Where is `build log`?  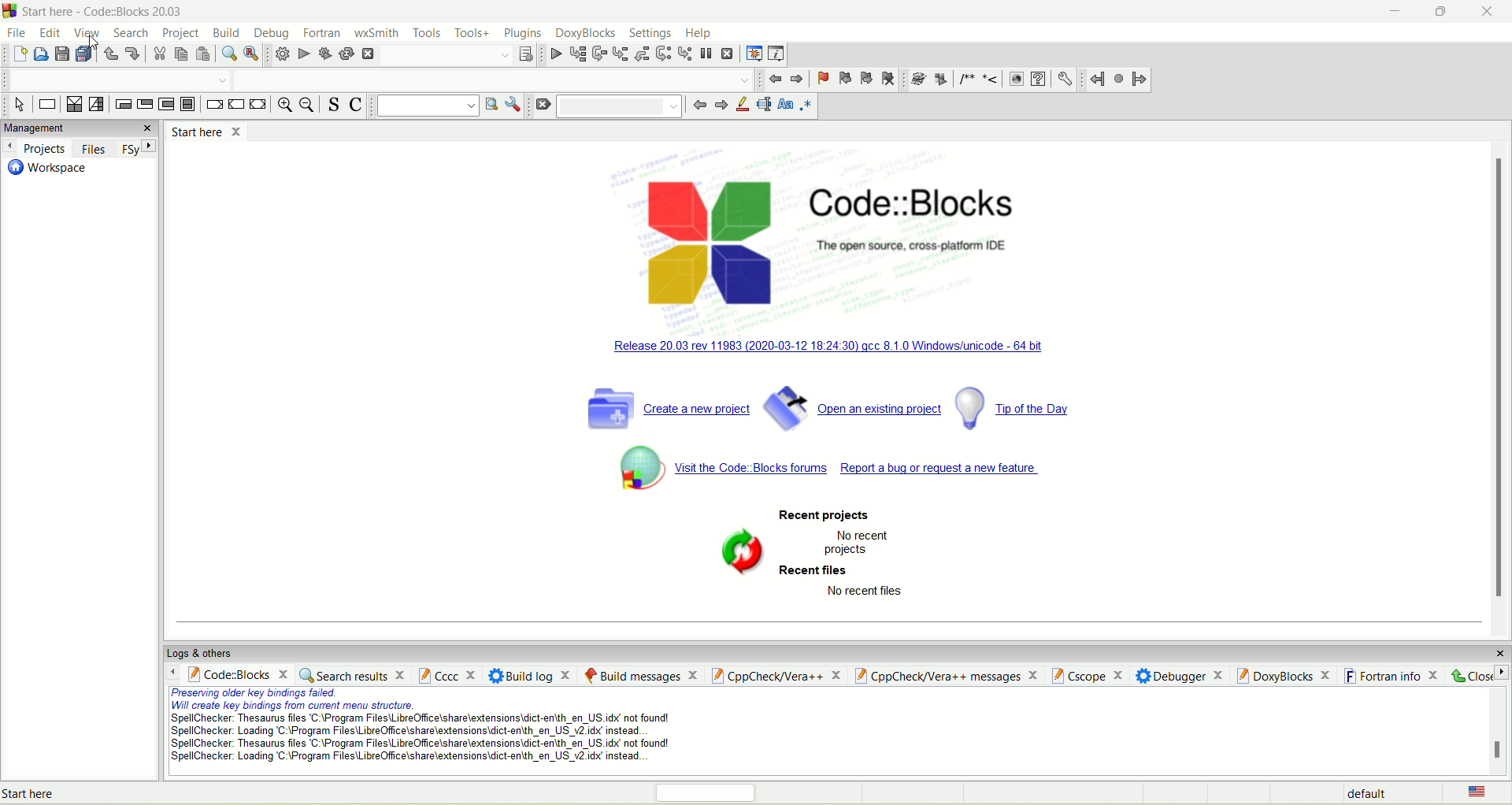 build log is located at coordinates (531, 675).